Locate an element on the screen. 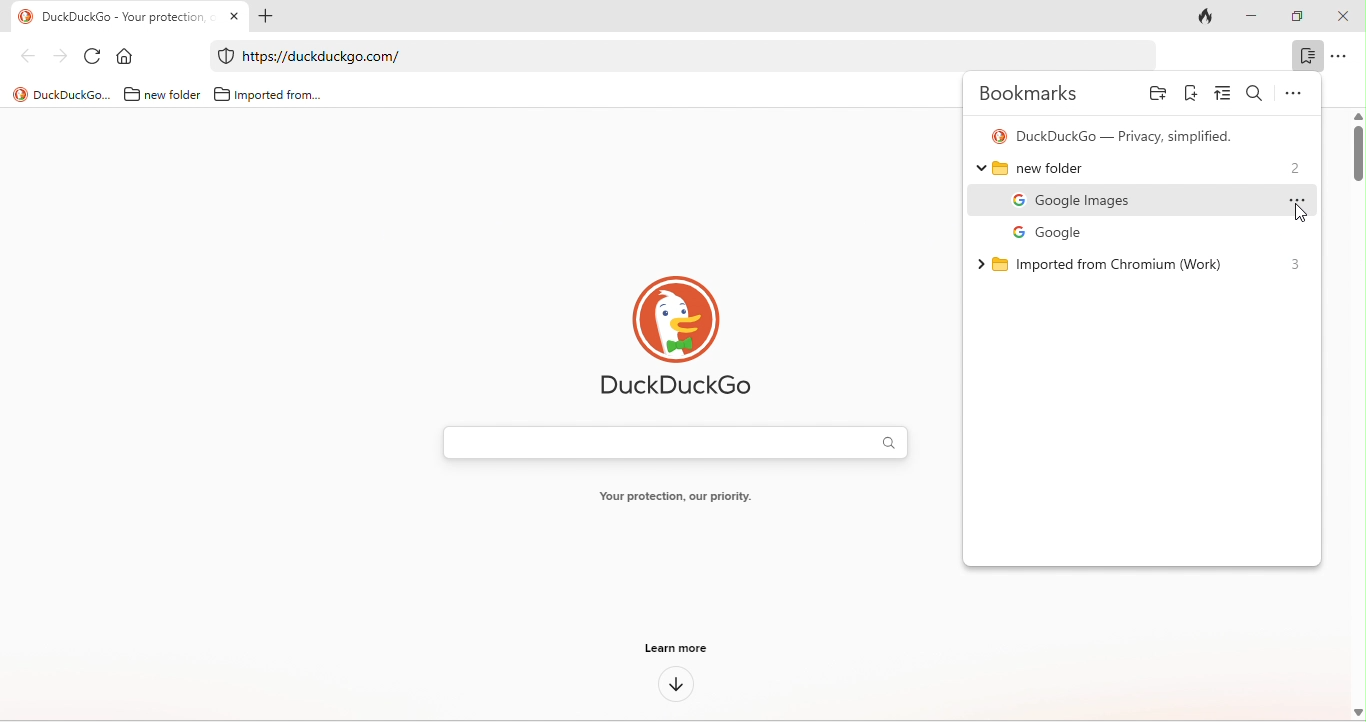  home is located at coordinates (127, 55).